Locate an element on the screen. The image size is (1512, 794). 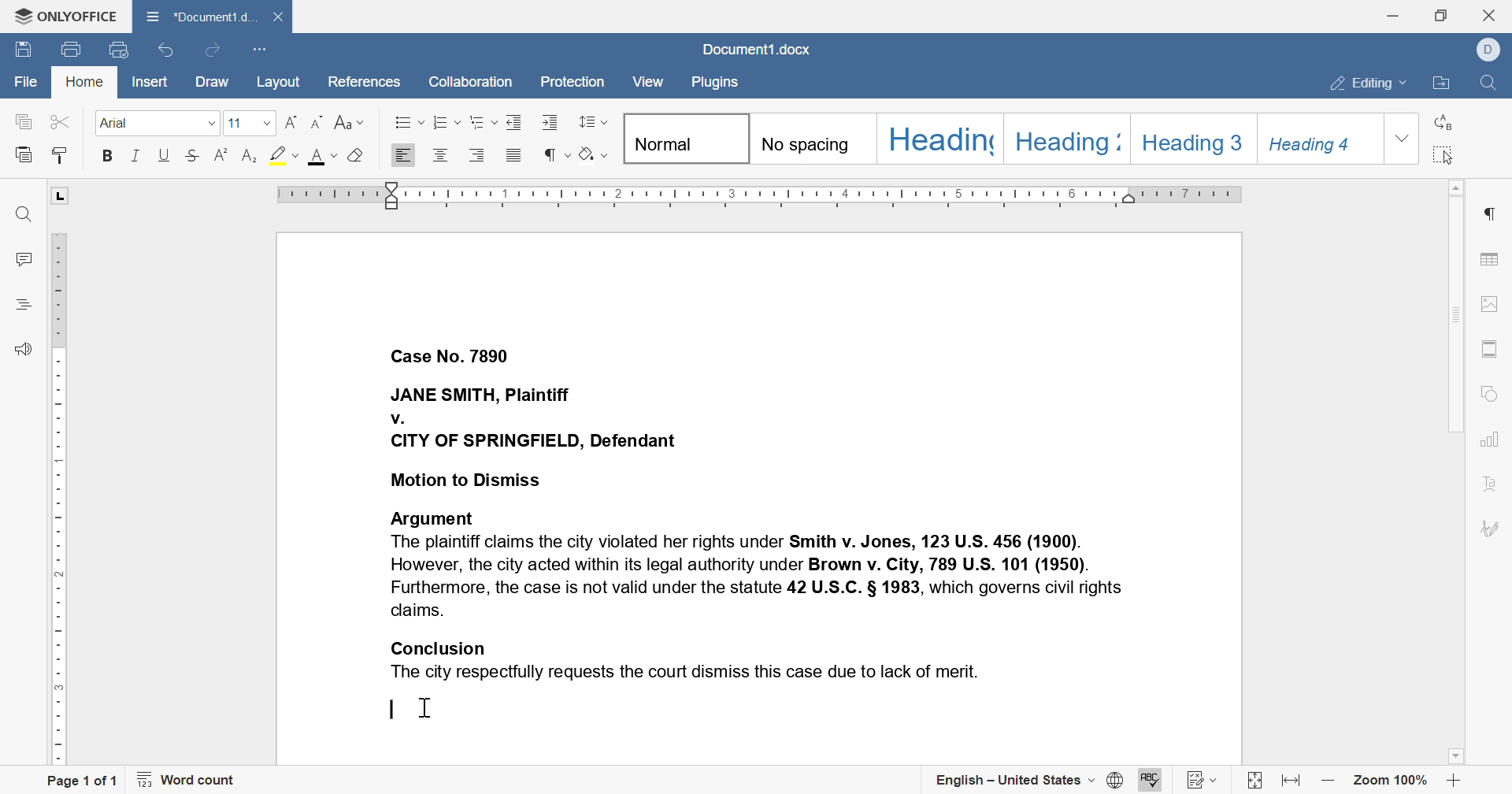
open file location is located at coordinates (1441, 86).